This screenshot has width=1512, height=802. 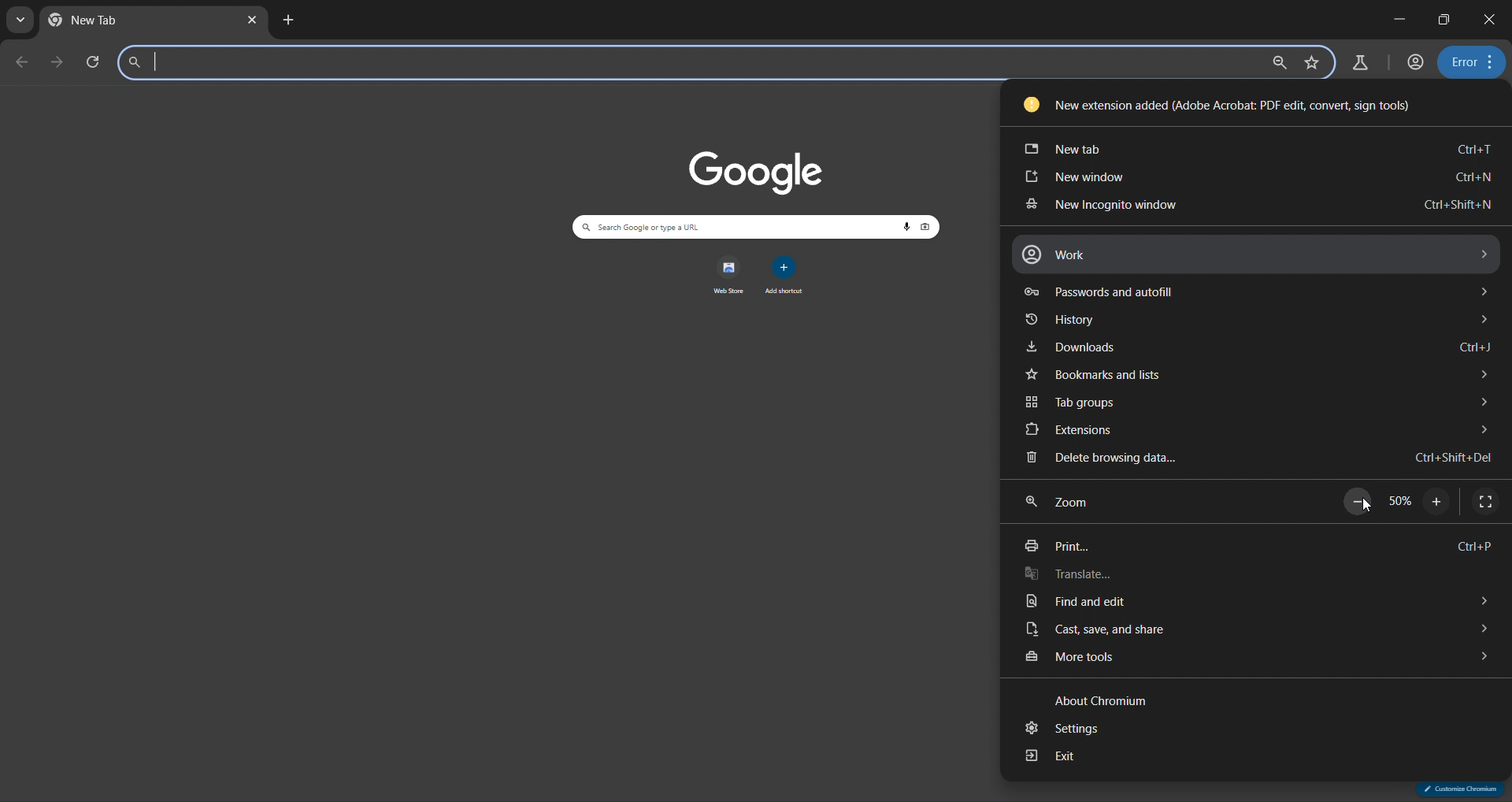 I want to click on search panel, so click(x=740, y=227).